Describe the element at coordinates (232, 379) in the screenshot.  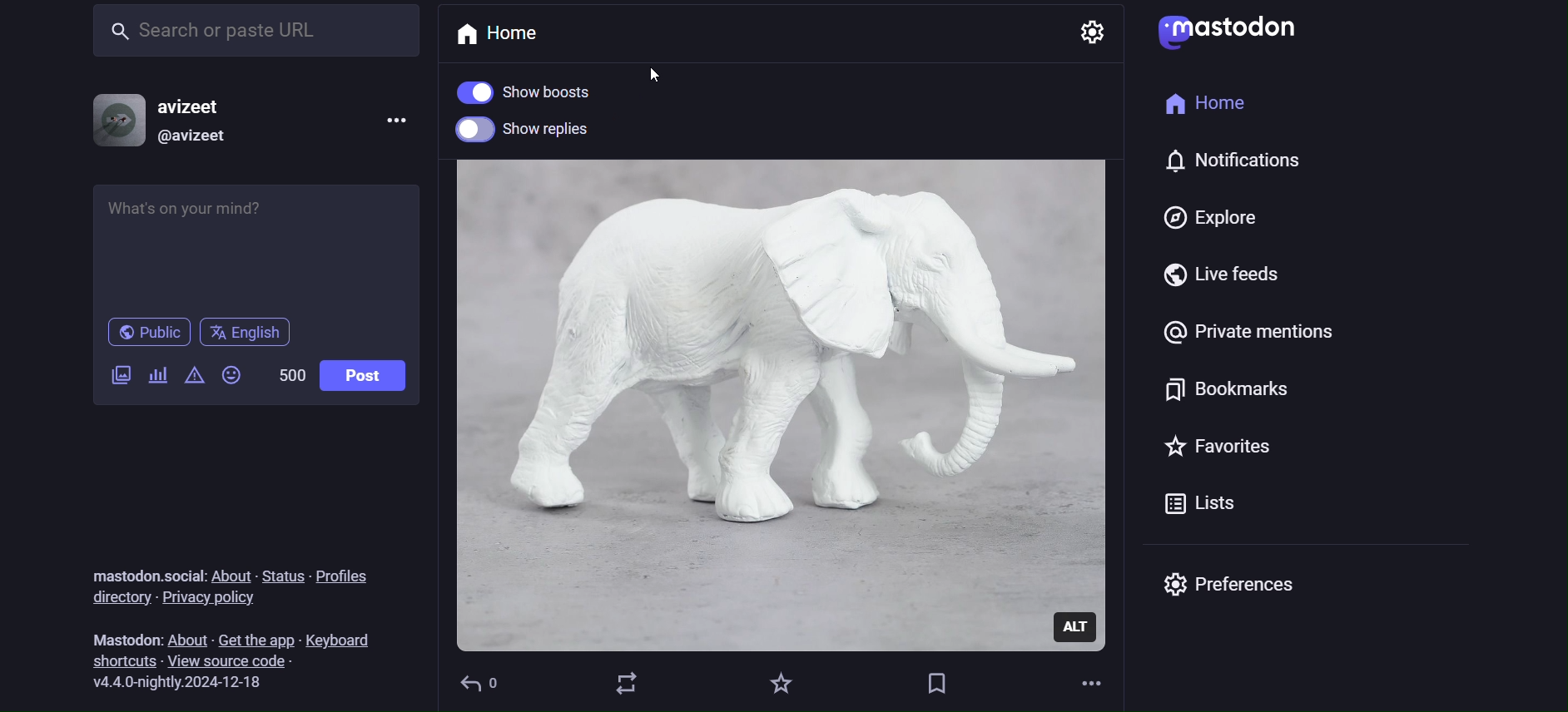
I see `add emoji` at that location.